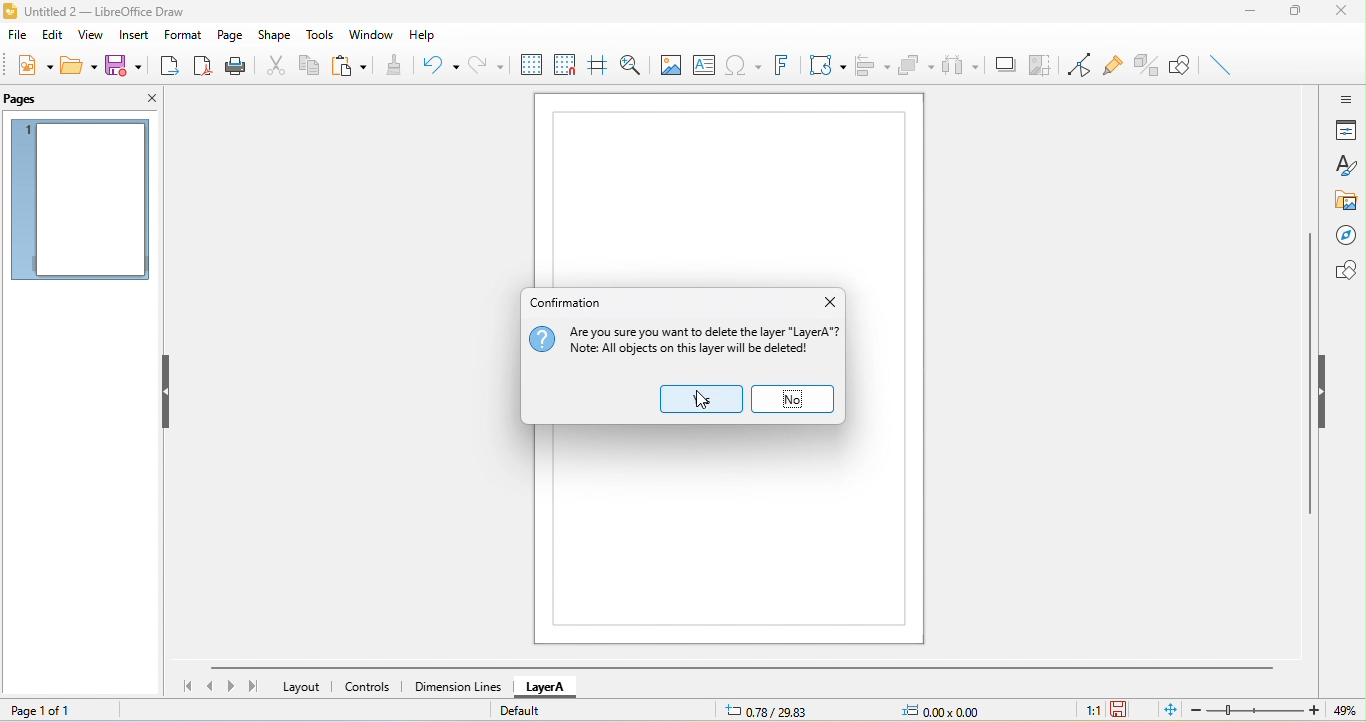 This screenshot has width=1366, height=722. I want to click on close, so click(148, 97).